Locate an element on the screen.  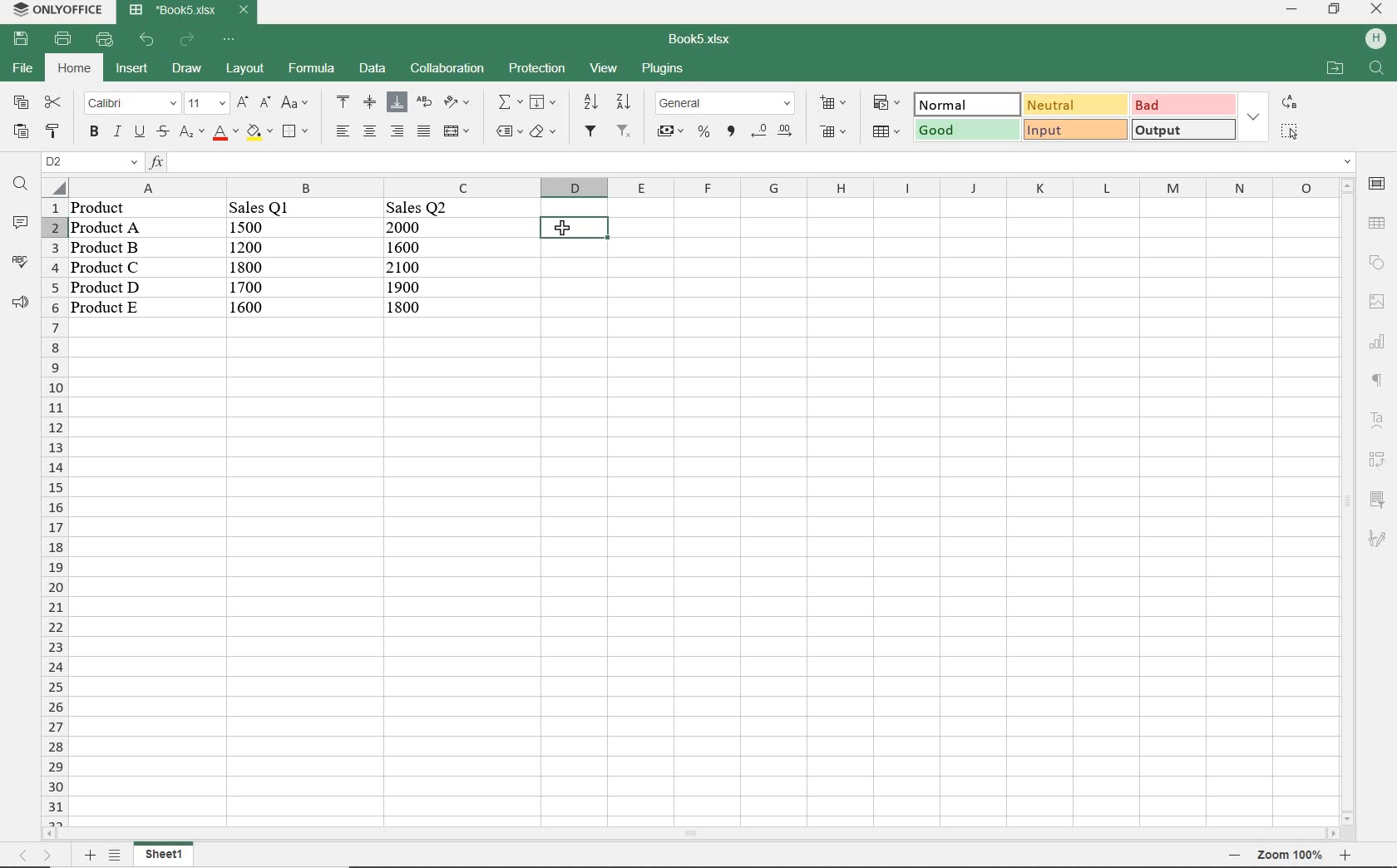
input is located at coordinates (1075, 130).